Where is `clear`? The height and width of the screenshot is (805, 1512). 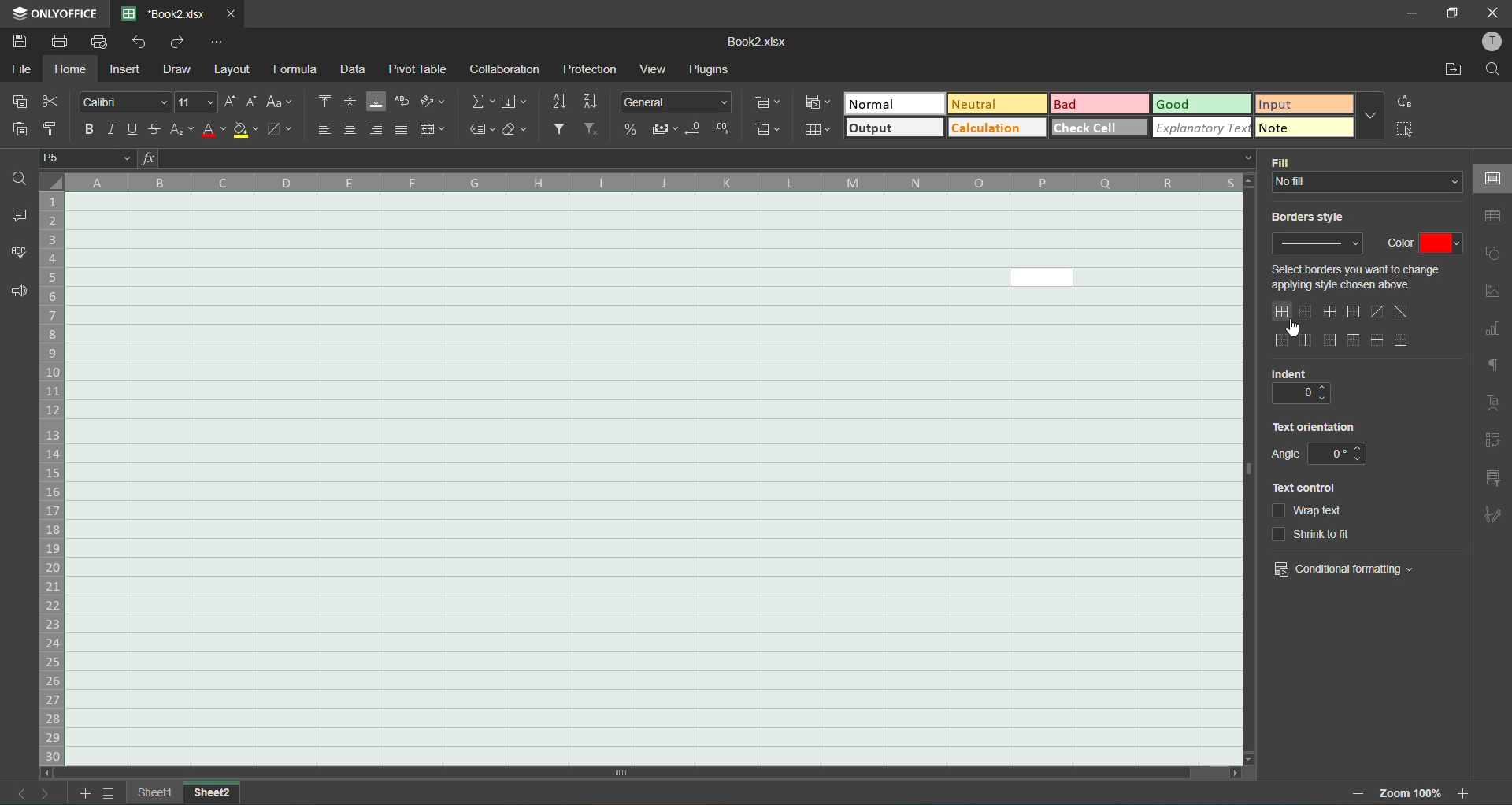 clear is located at coordinates (521, 132).